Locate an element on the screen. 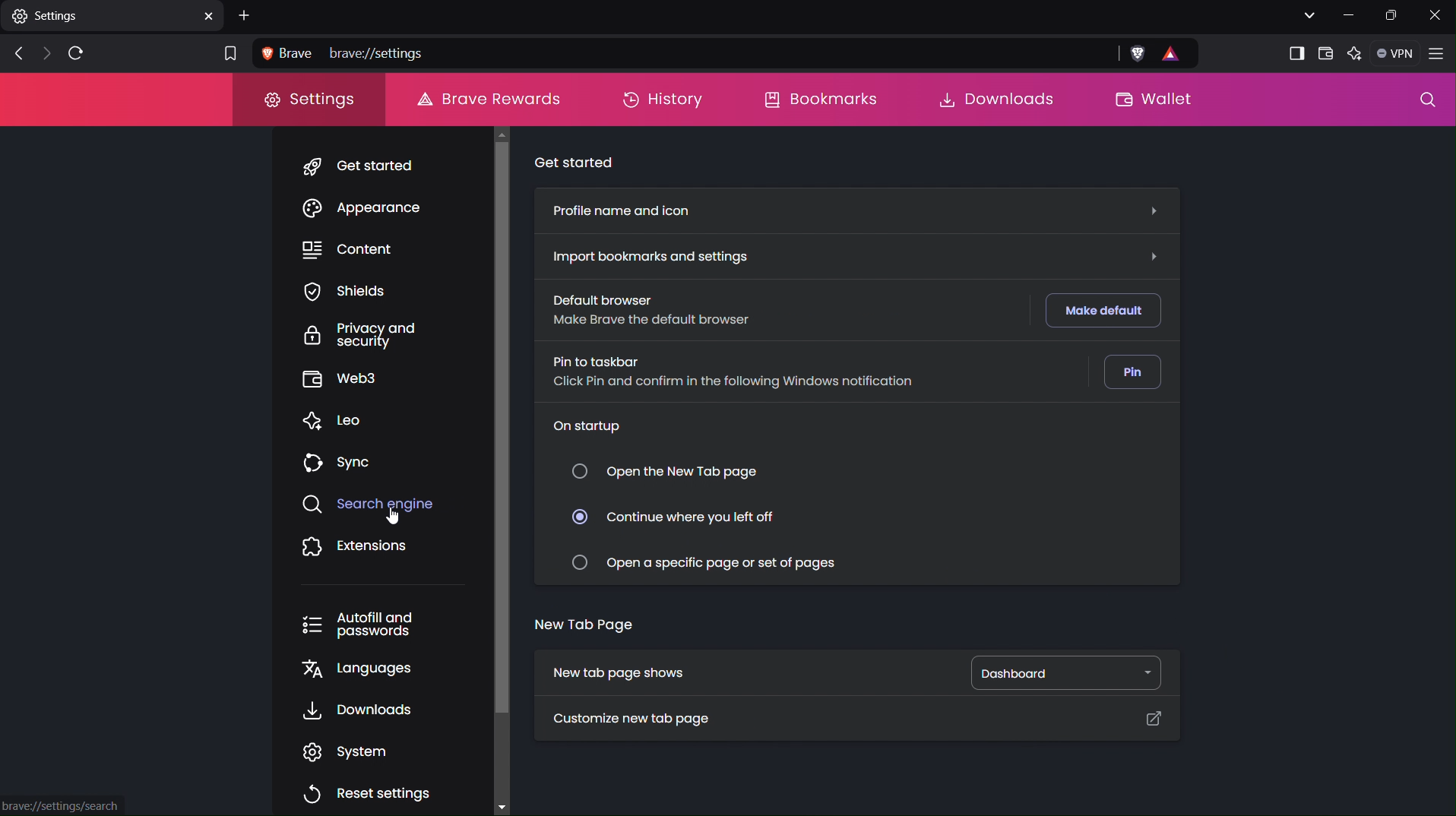  Wallet is located at coordinates (1326, 53).